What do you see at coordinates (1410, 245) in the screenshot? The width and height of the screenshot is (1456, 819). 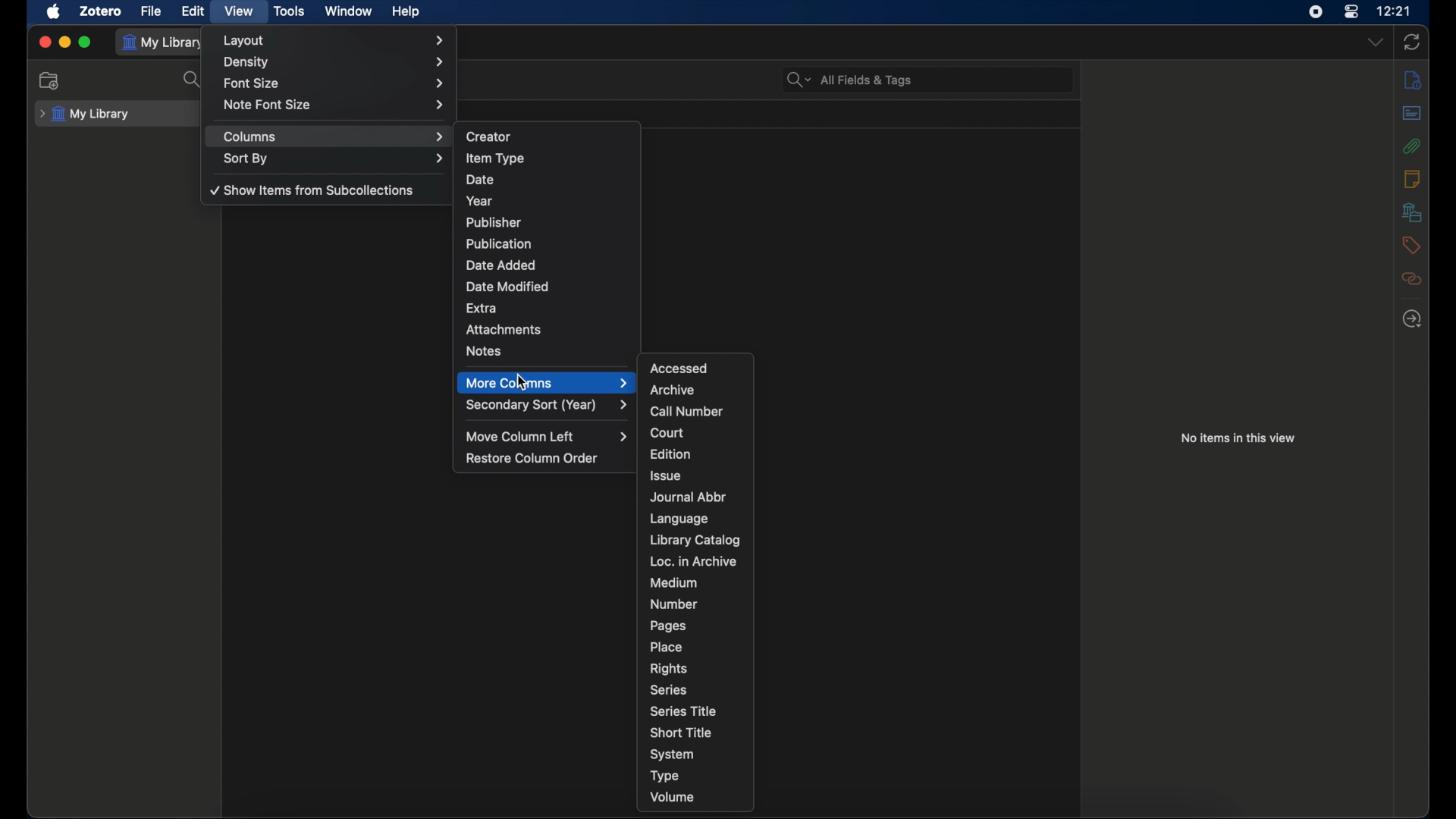 I see `tags` at bounding box center [1410, 245].